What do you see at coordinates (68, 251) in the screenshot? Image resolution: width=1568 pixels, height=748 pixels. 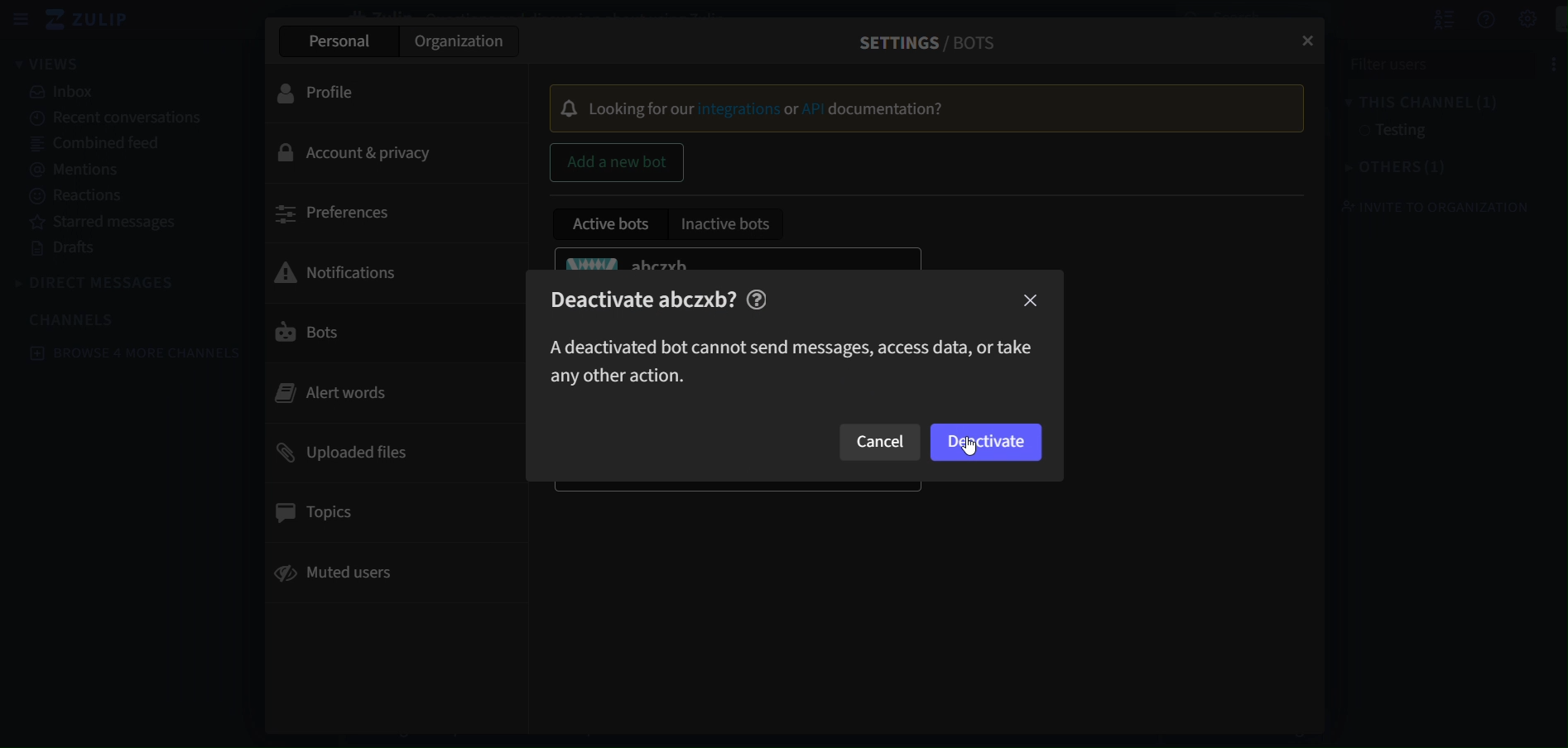 I see `drafts` at bounding box center [68, 251].